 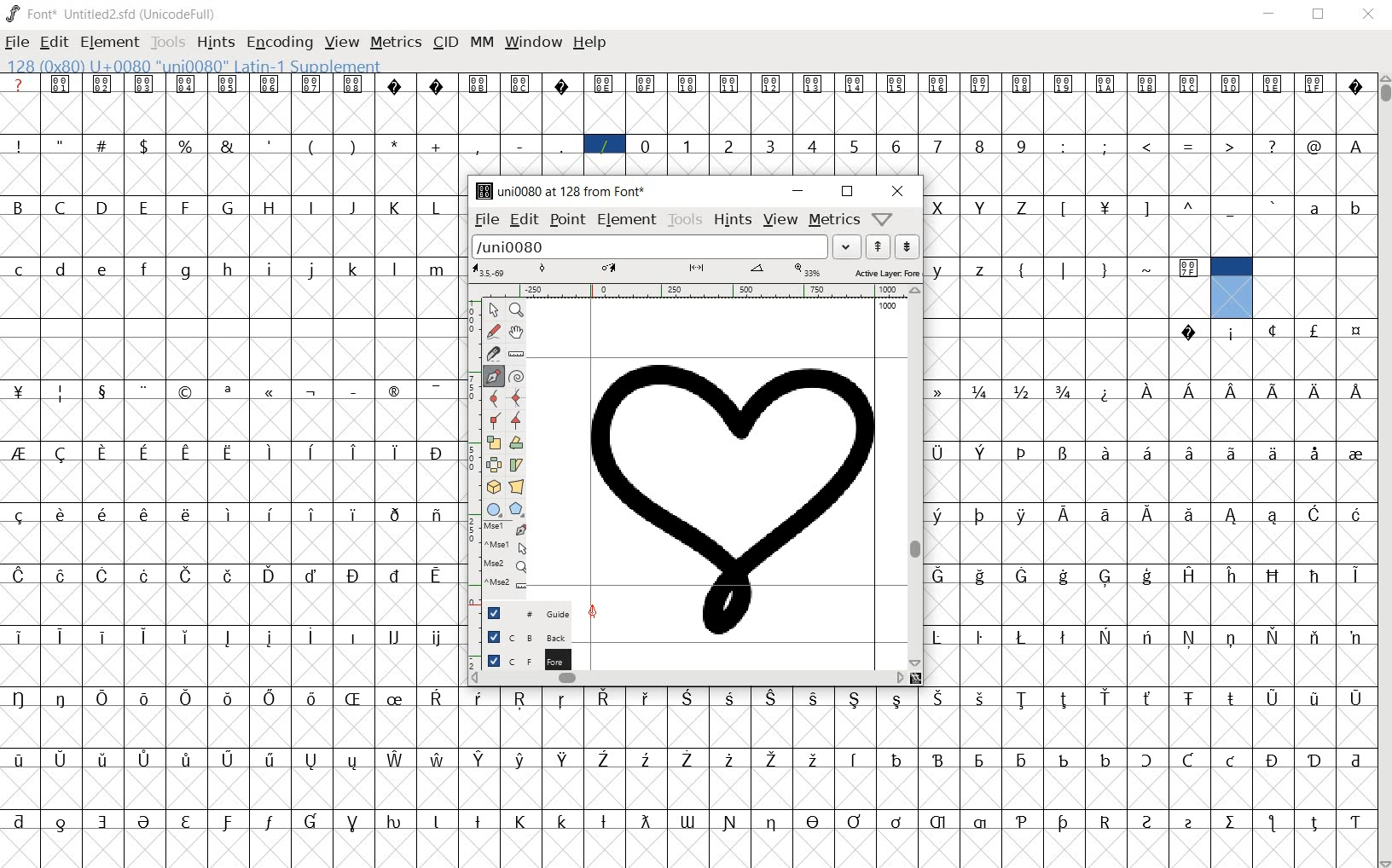 What do you see at coordinates (1146, 636) in the screenshot?
I see `glyph` at bounding box center [1146, 636].